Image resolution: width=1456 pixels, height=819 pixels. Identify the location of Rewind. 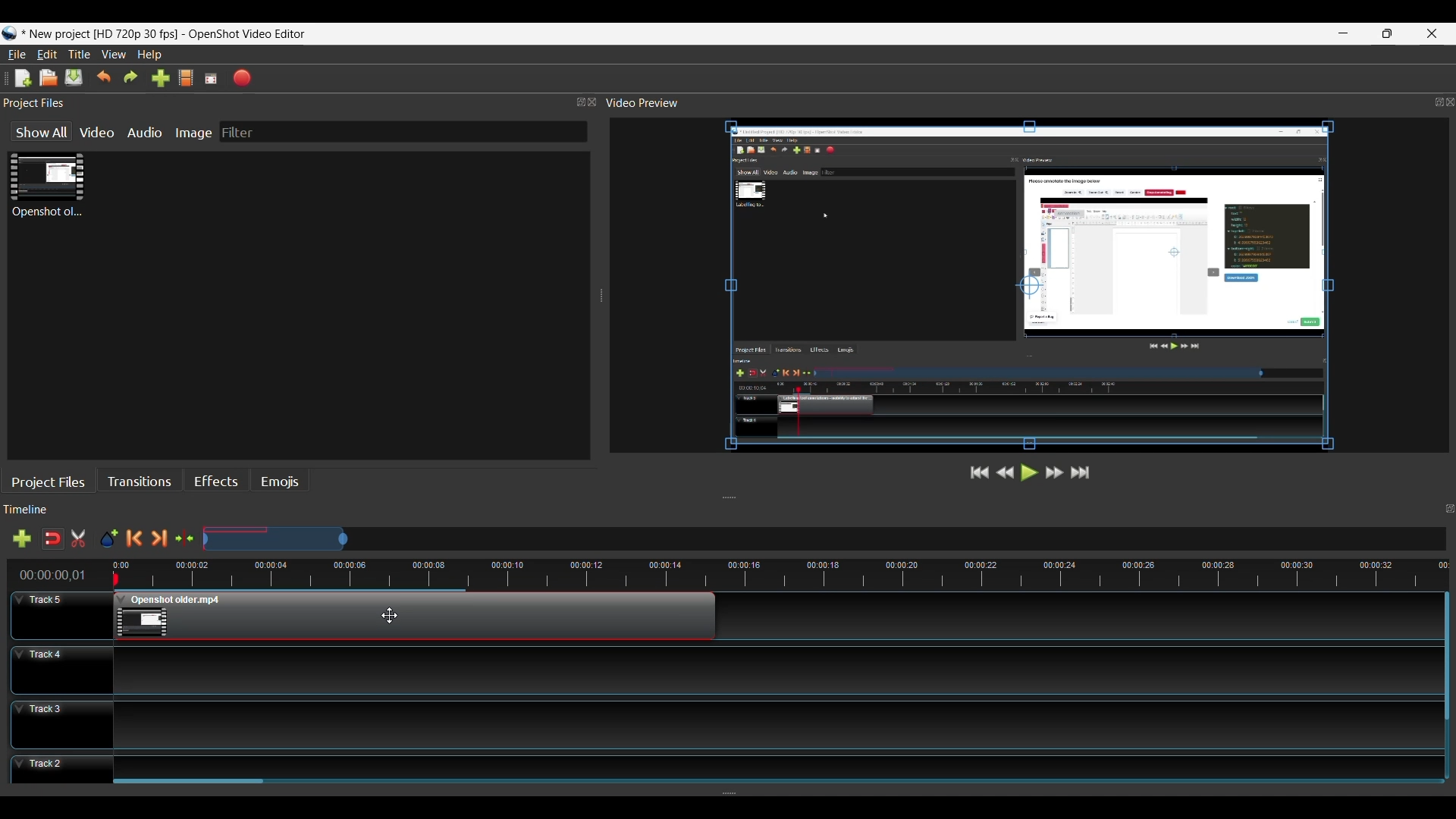
(1006, 472).